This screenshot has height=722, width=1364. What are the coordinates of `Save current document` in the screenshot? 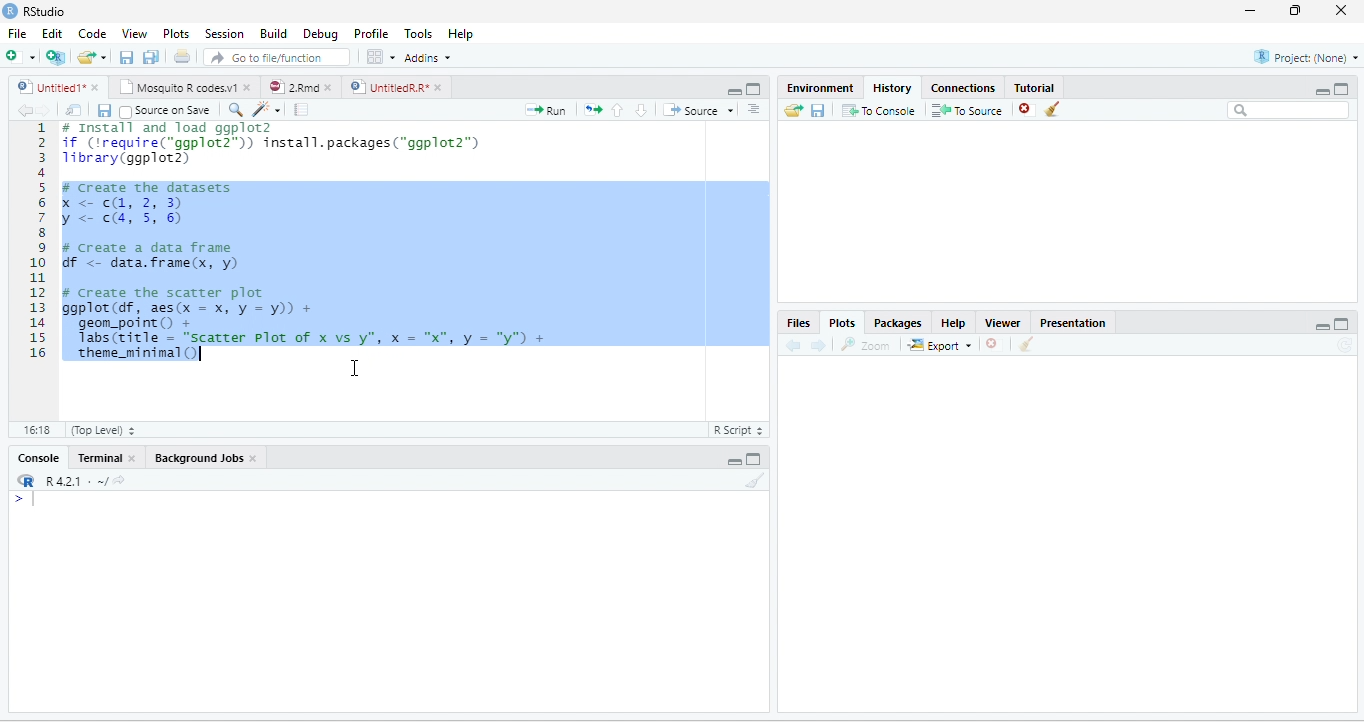 It's located at (127, 56).